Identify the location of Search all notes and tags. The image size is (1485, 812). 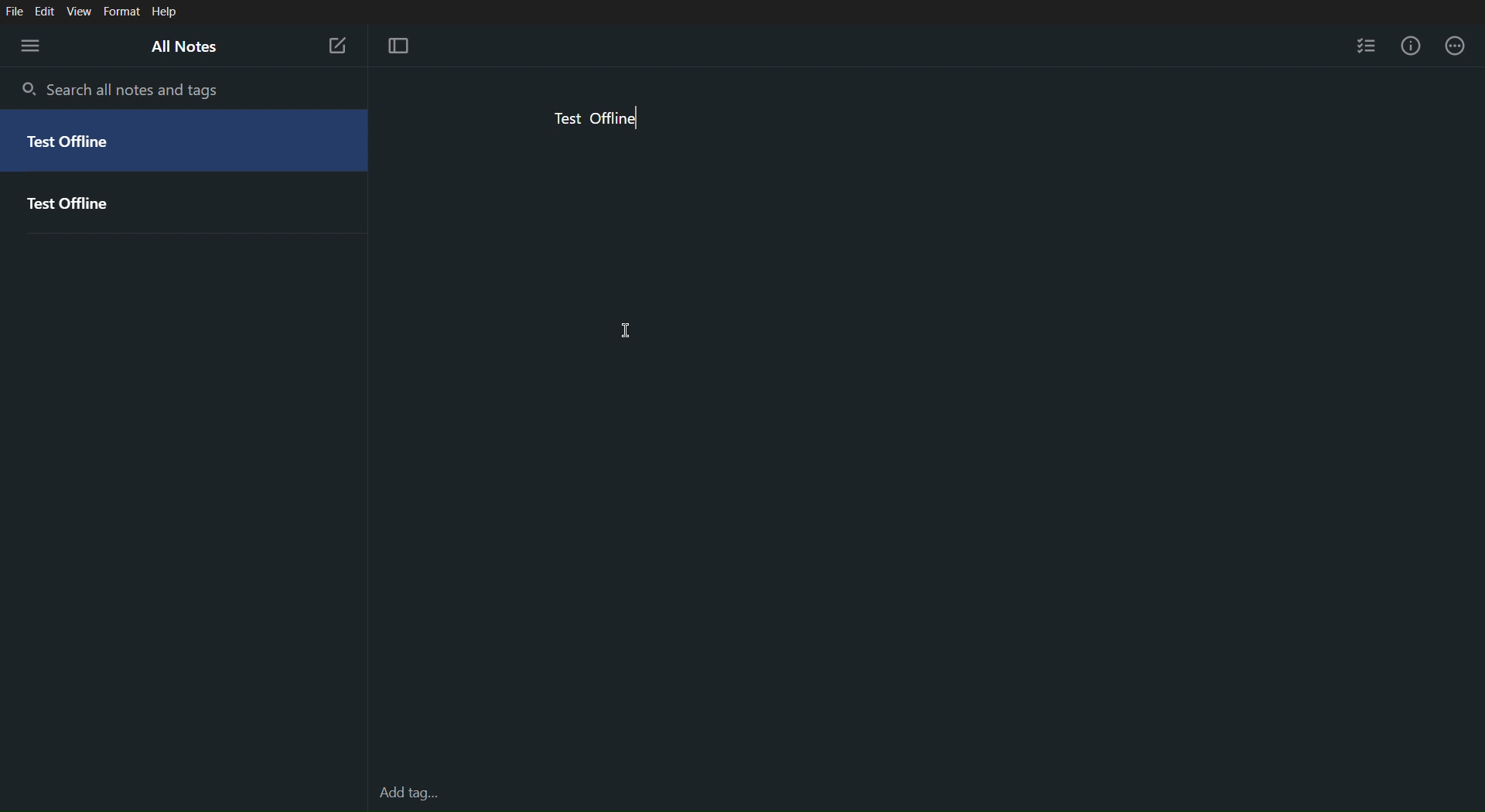
(121, 91).